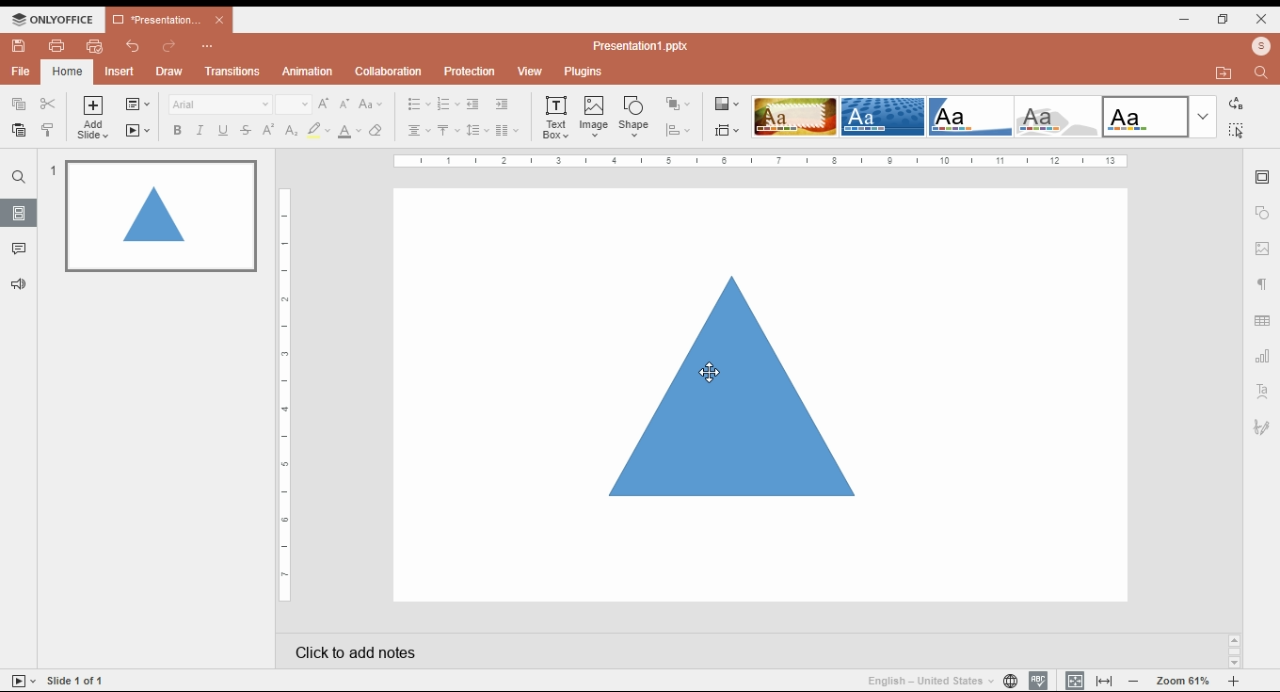 This screenshot has width=1280, height=692. I want to click on copy, so click(19, 104).